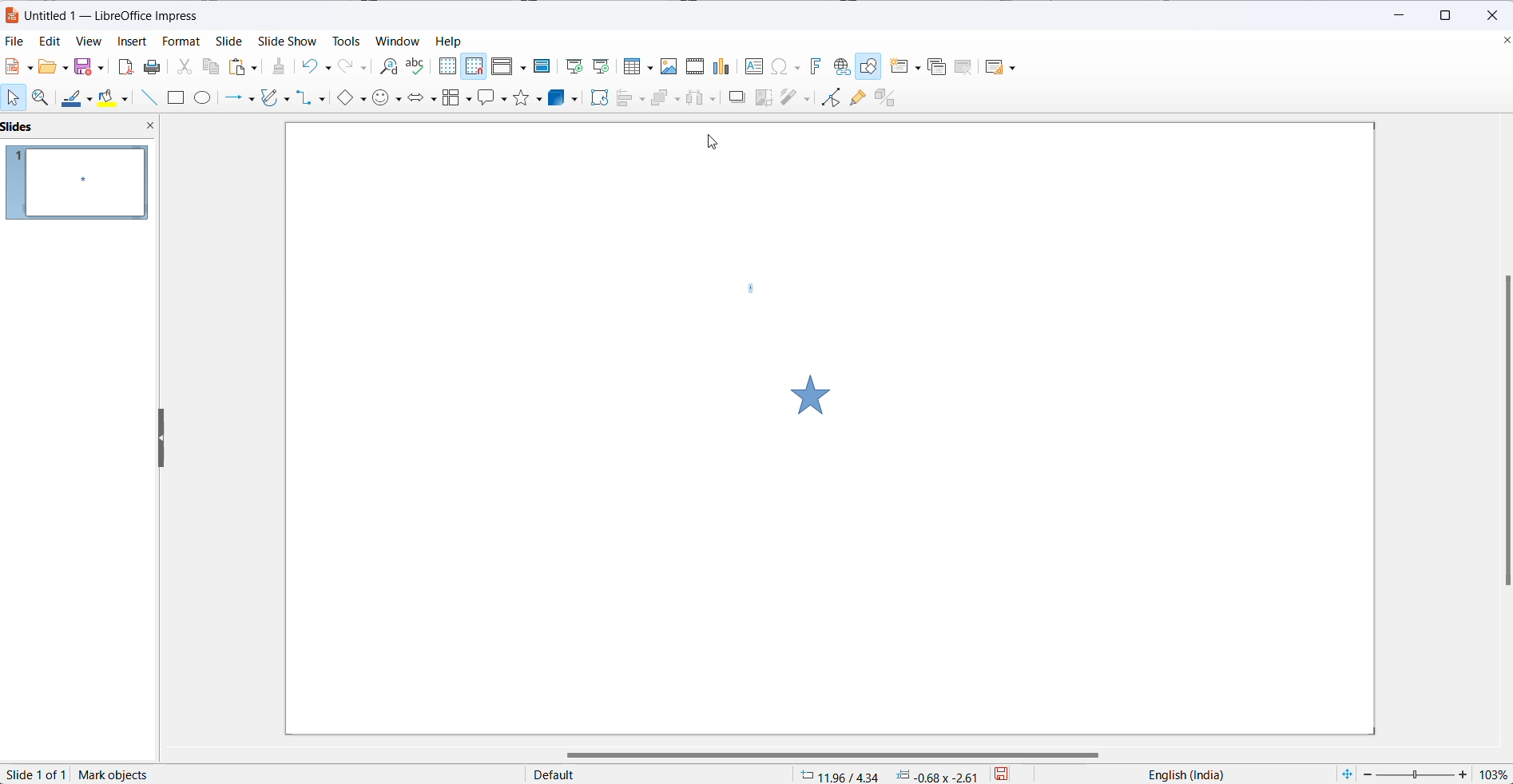 The width and height of the screenshot is (1513, 784). I want to click on star, so click(820, 391).